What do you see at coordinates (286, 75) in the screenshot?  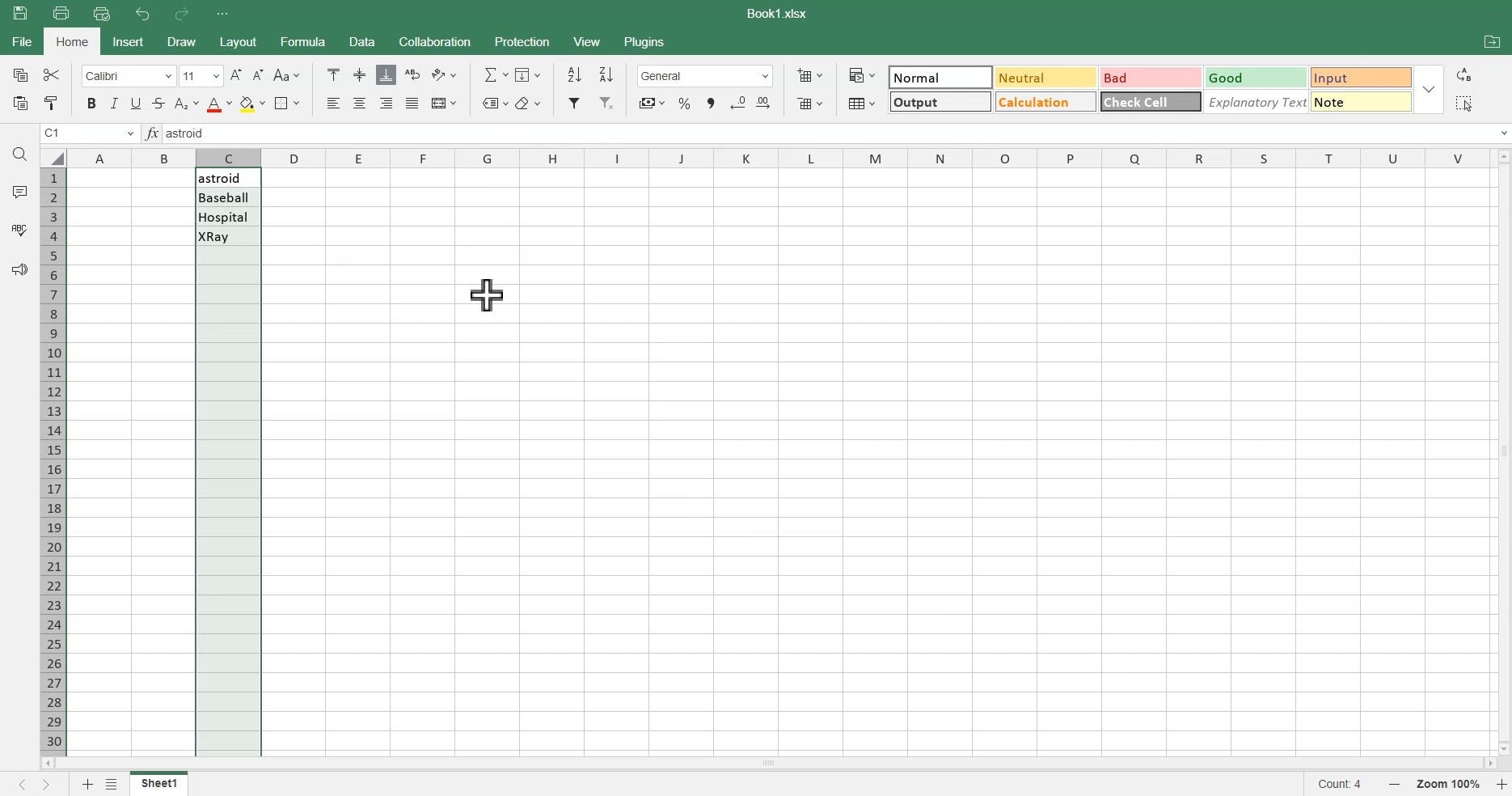 I see `Change case` at bounding box center [286, 75].